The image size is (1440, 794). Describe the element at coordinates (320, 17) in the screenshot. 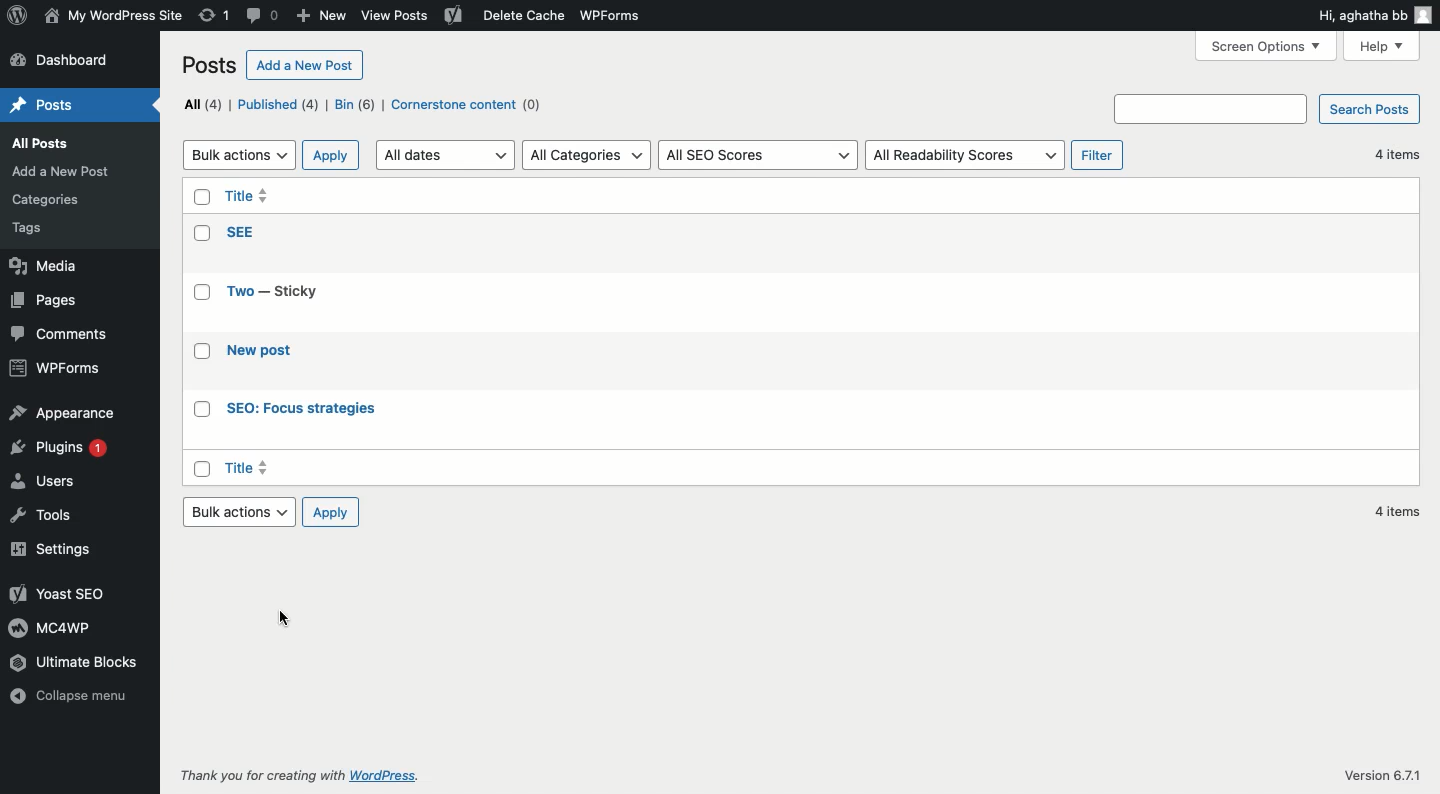

I see `New` at that location.